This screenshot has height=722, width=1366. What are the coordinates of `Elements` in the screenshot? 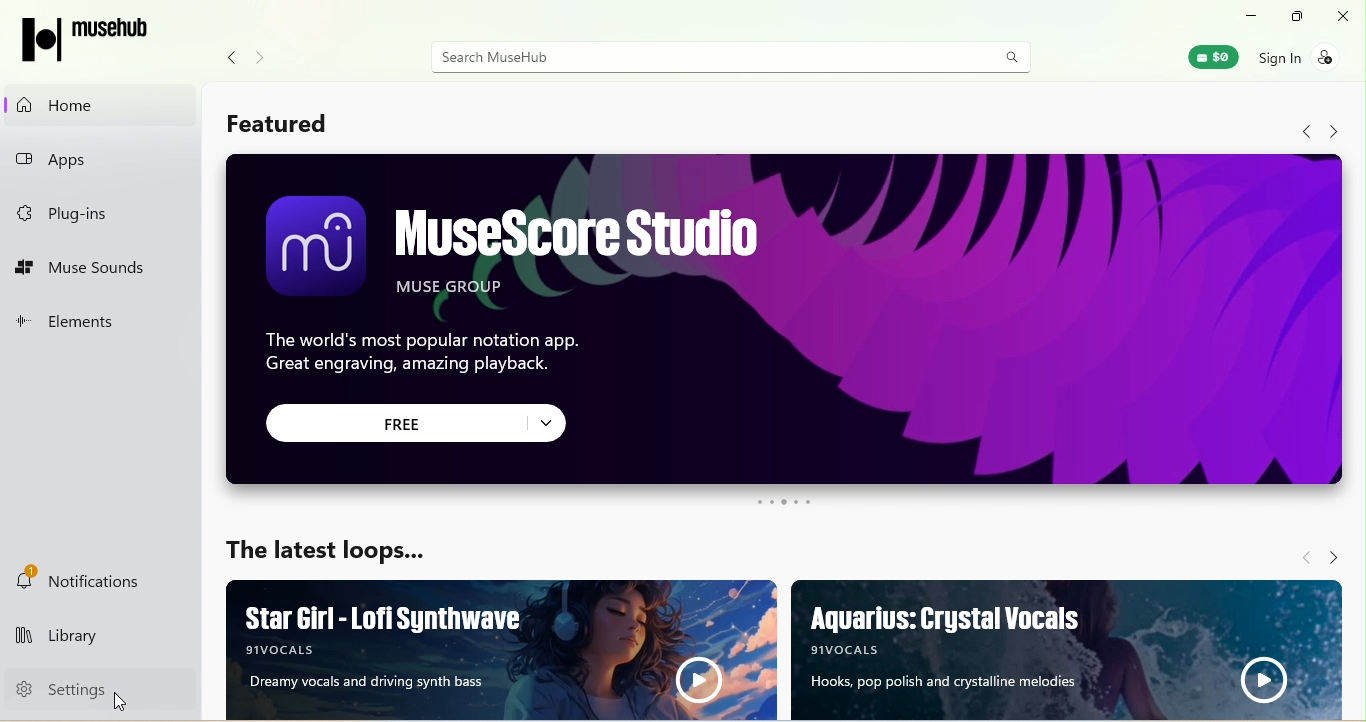 It's located at (78, 324).